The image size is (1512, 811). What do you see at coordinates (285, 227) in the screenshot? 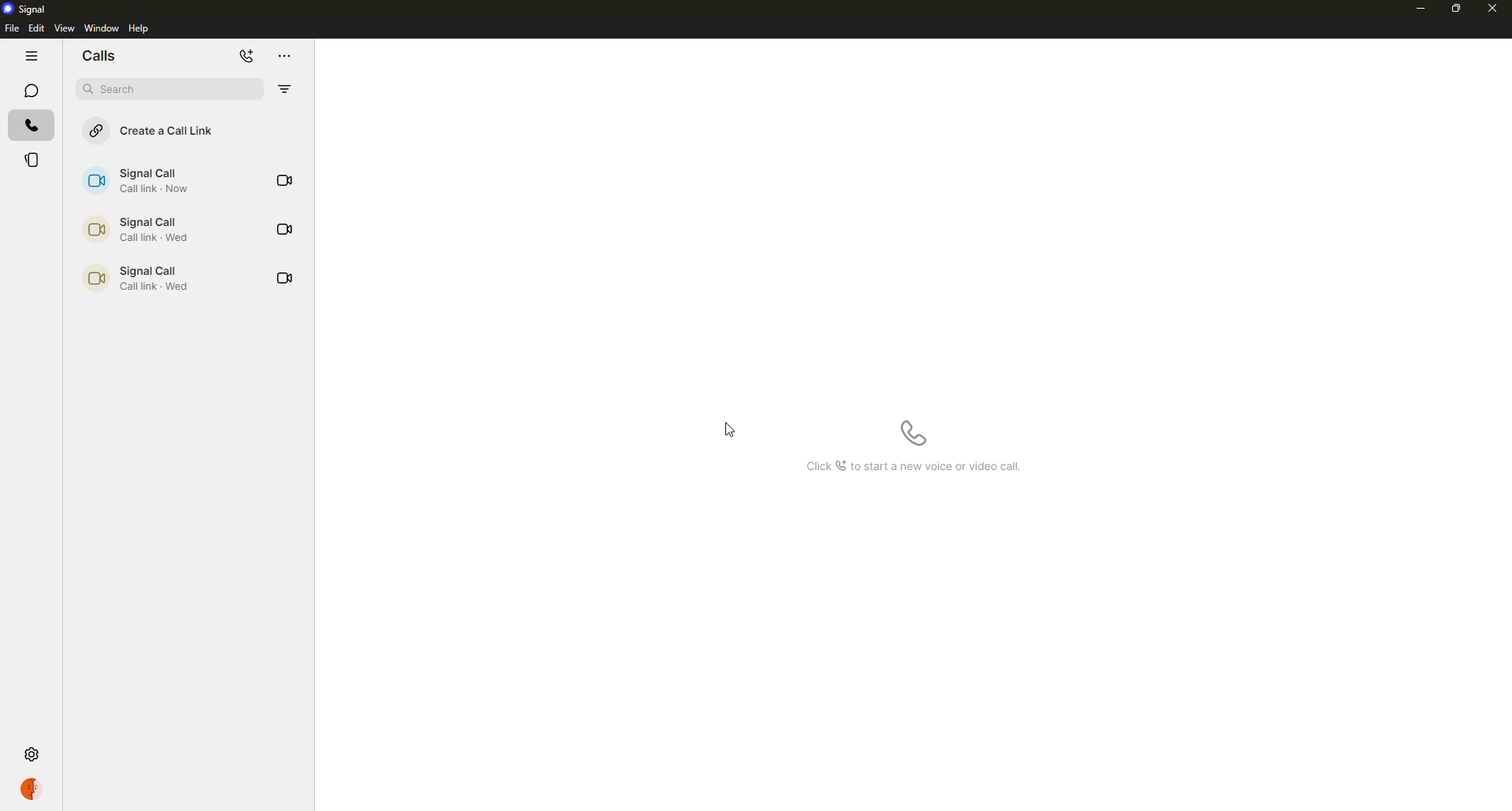
I see `video` at bounding box center [285, 227].